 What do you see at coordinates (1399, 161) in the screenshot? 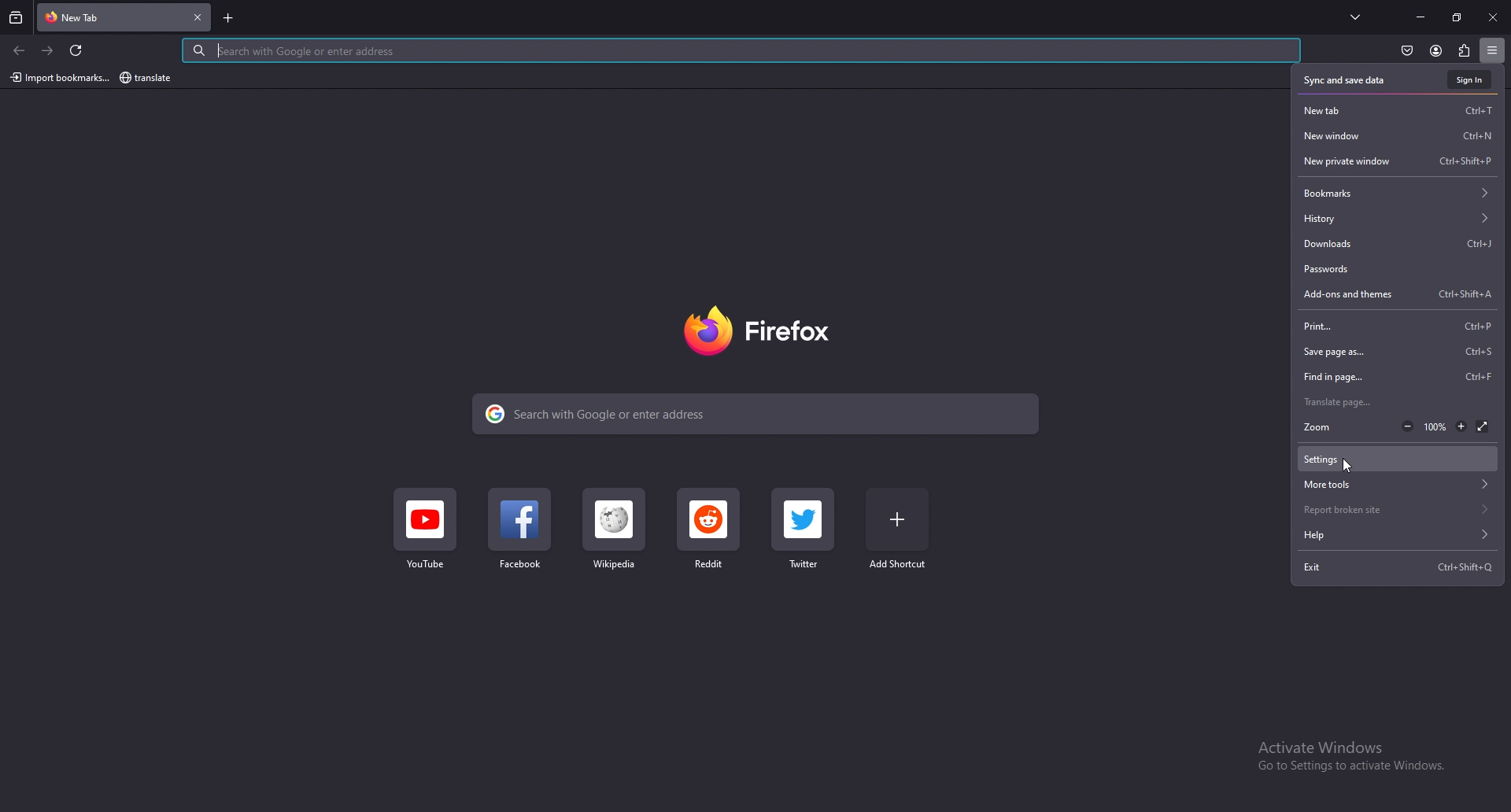
I see `new private window` at bounding box center [1399, 161].